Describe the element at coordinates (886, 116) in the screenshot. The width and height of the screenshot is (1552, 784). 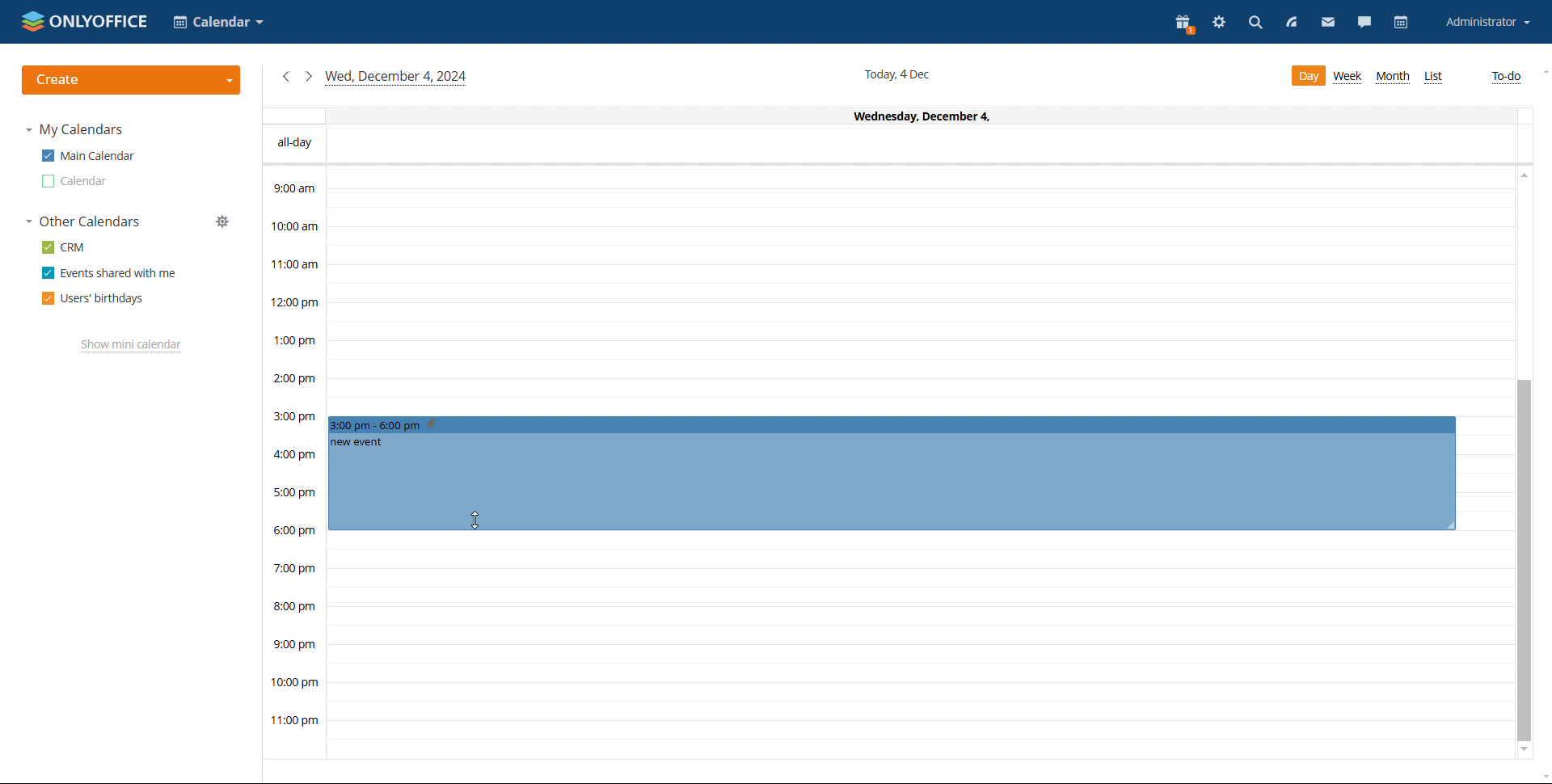
I see `date` at that location.